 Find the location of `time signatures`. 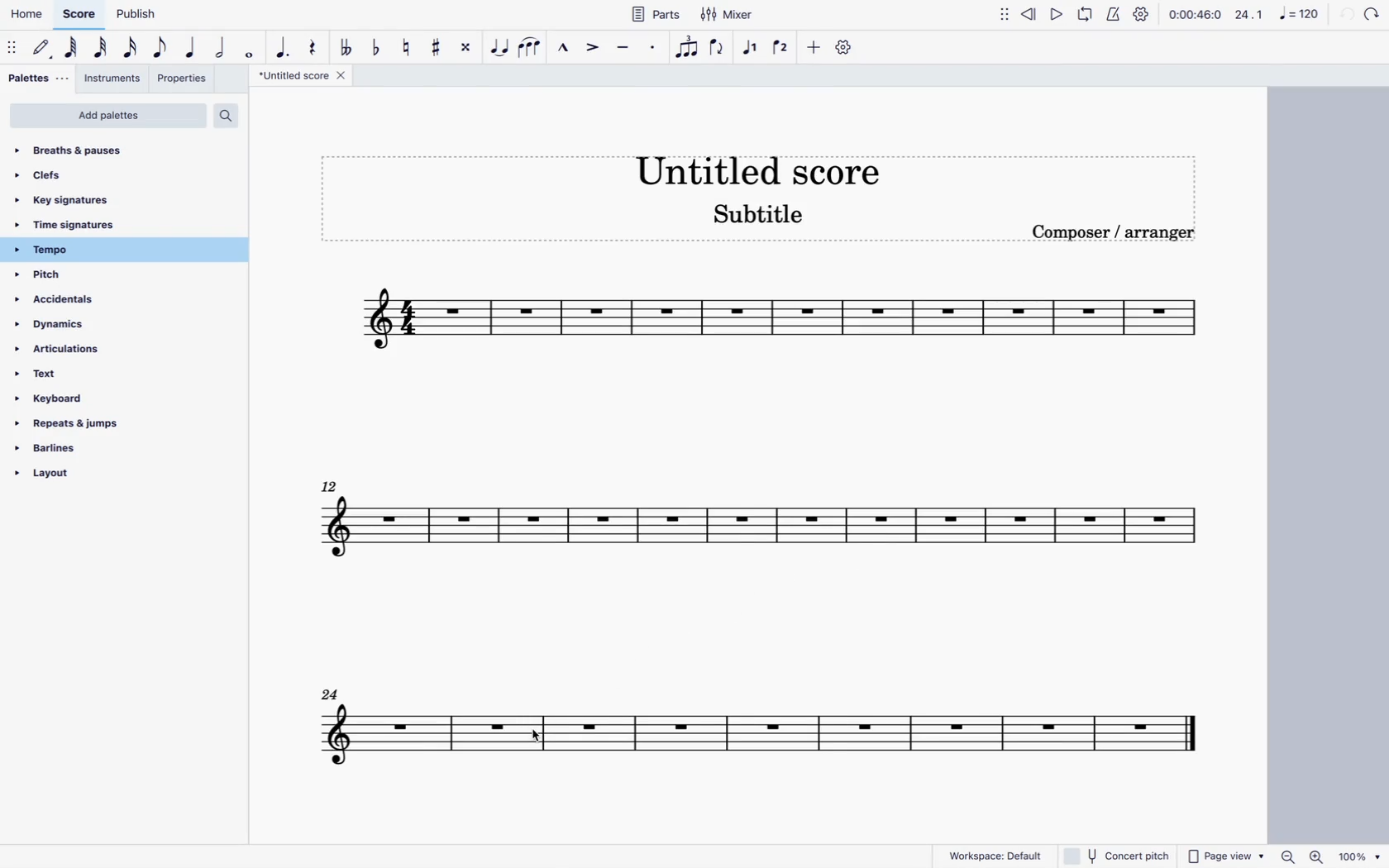

time signatures is located at coordinates (74, 226).